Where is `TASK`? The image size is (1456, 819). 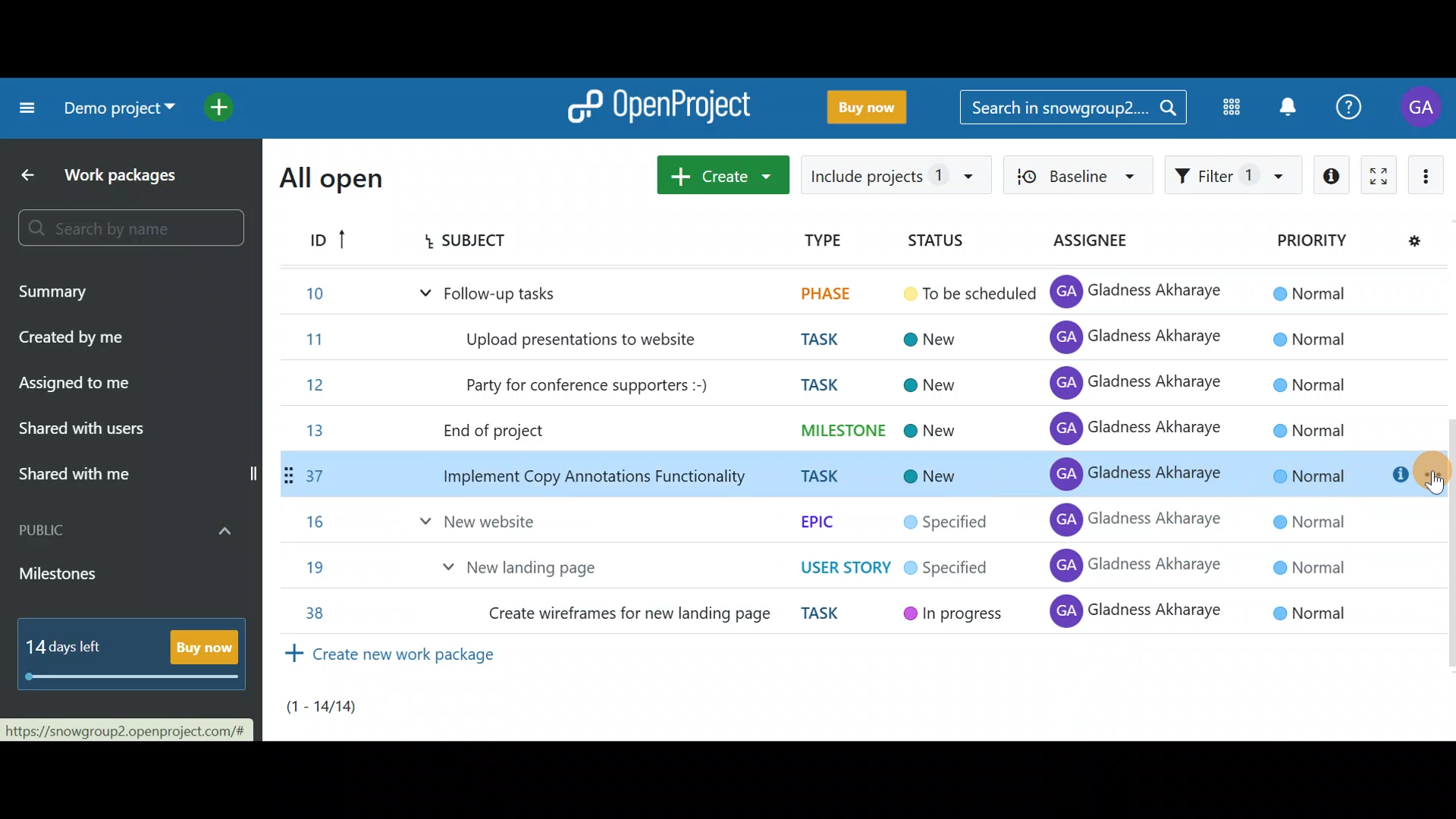 TASK is located at coordinates (831, 616).